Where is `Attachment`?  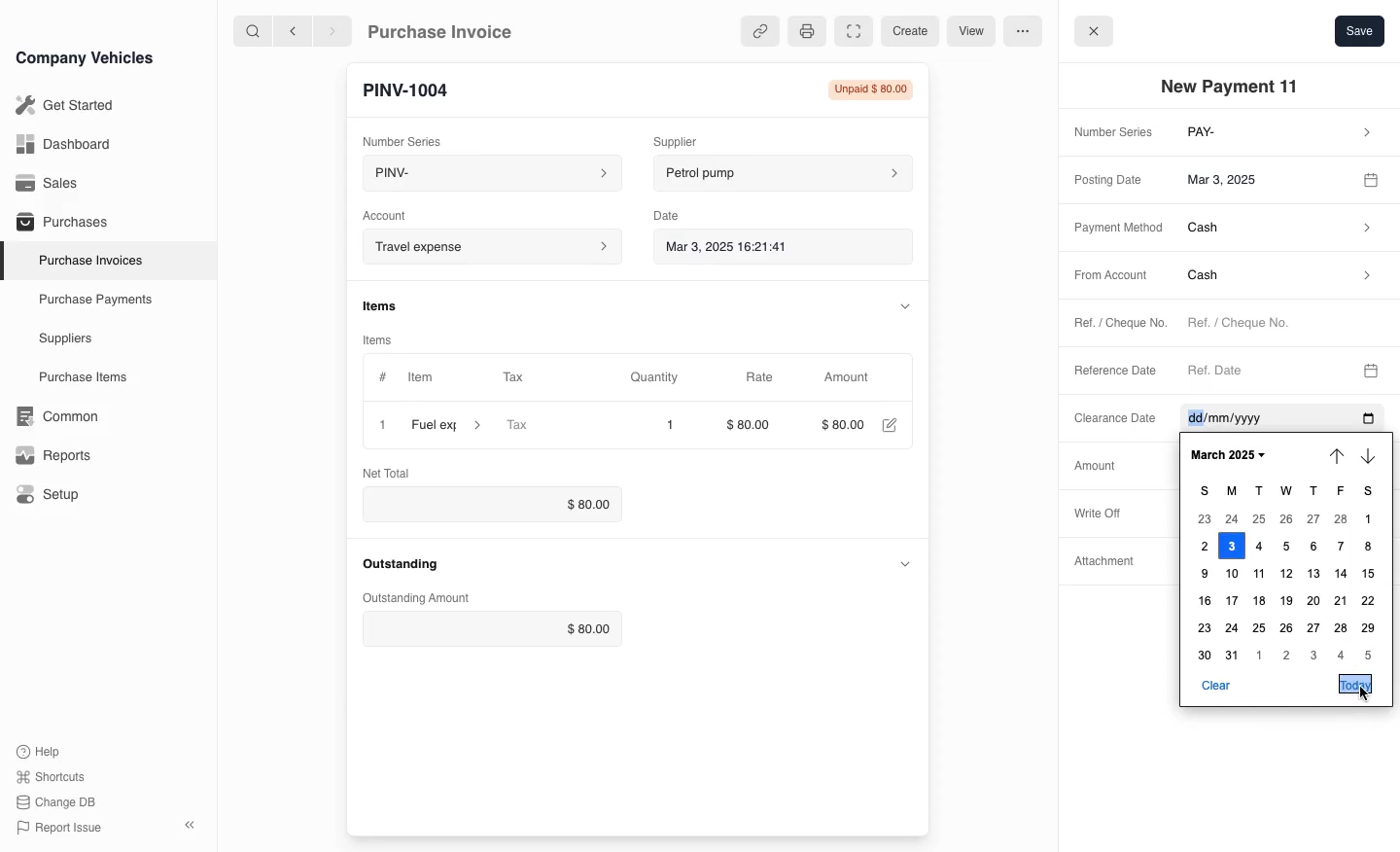 Attachment is located at coordinates (1107, 565).